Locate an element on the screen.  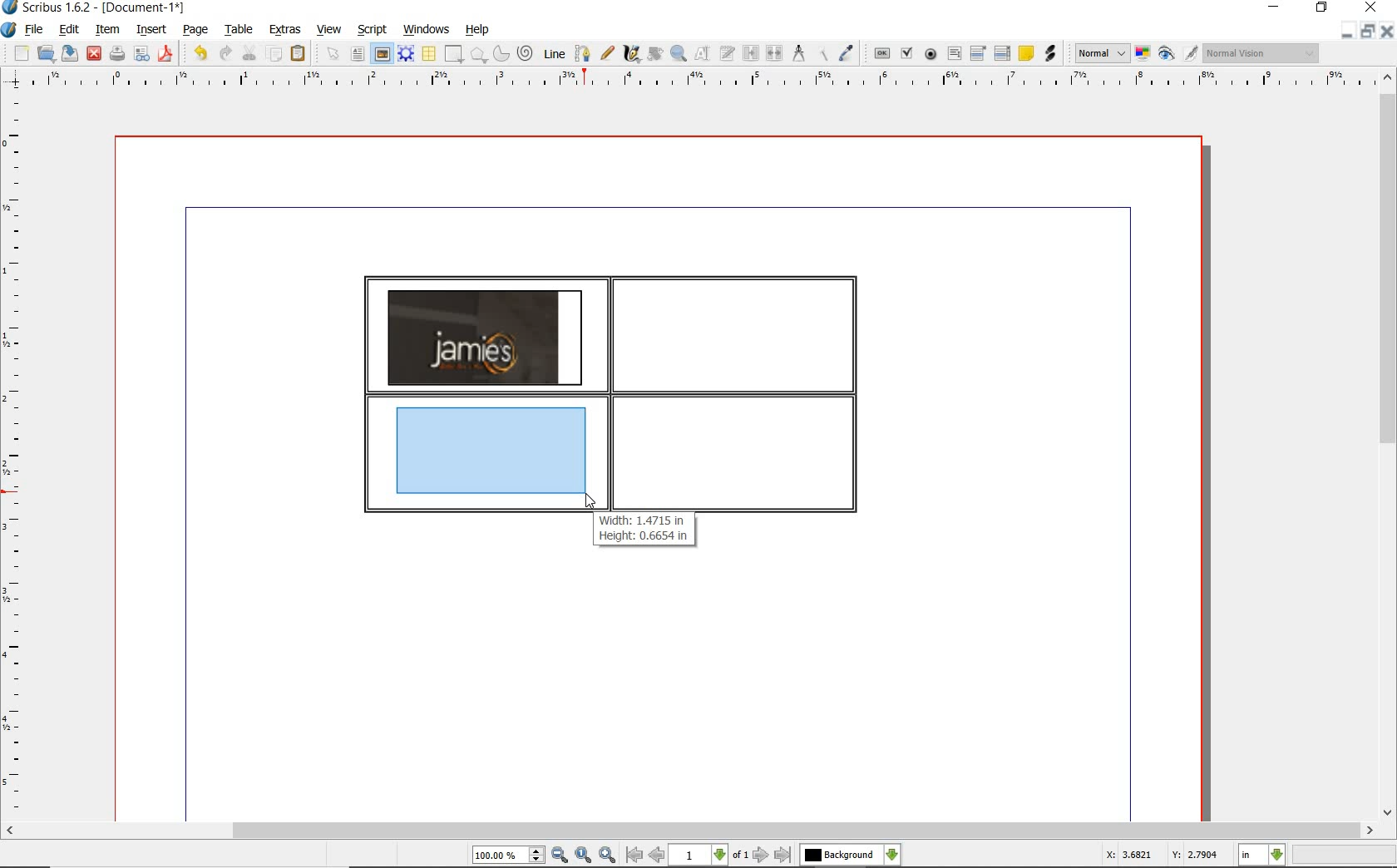
redo is located at coordinates (225, 52).